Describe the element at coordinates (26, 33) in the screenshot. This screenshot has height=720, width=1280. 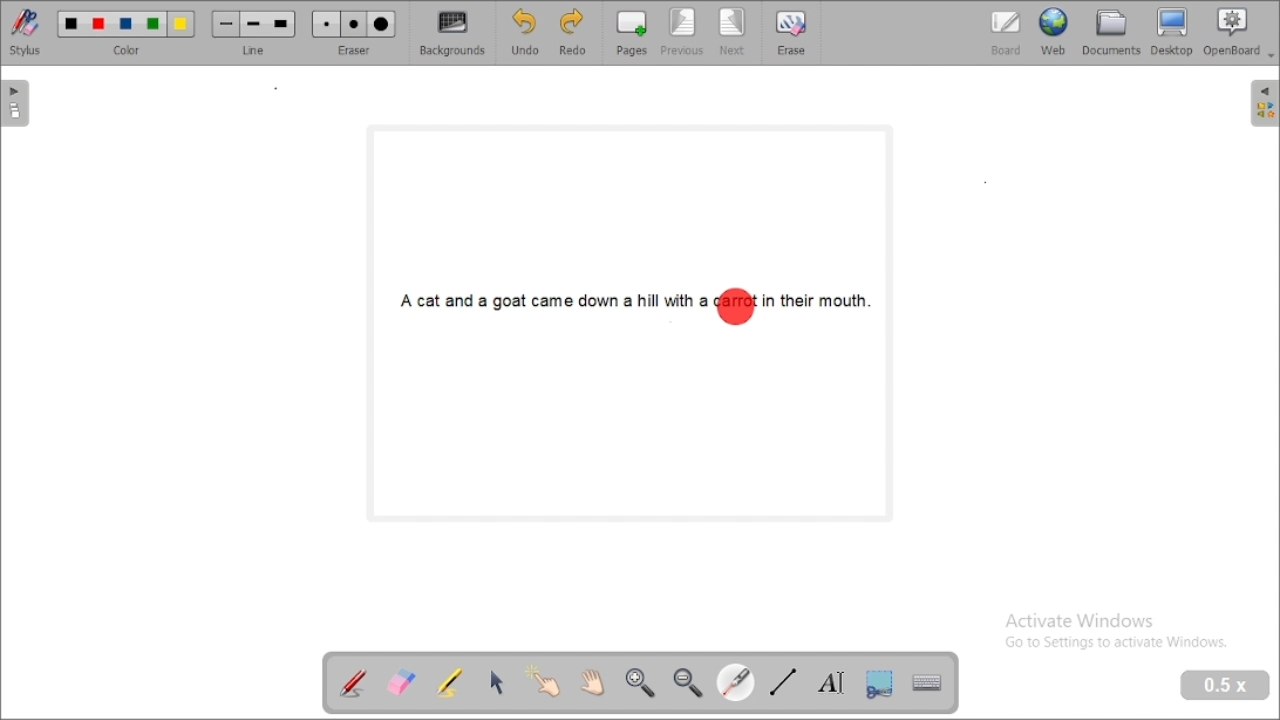
I see `stylus` at that location.